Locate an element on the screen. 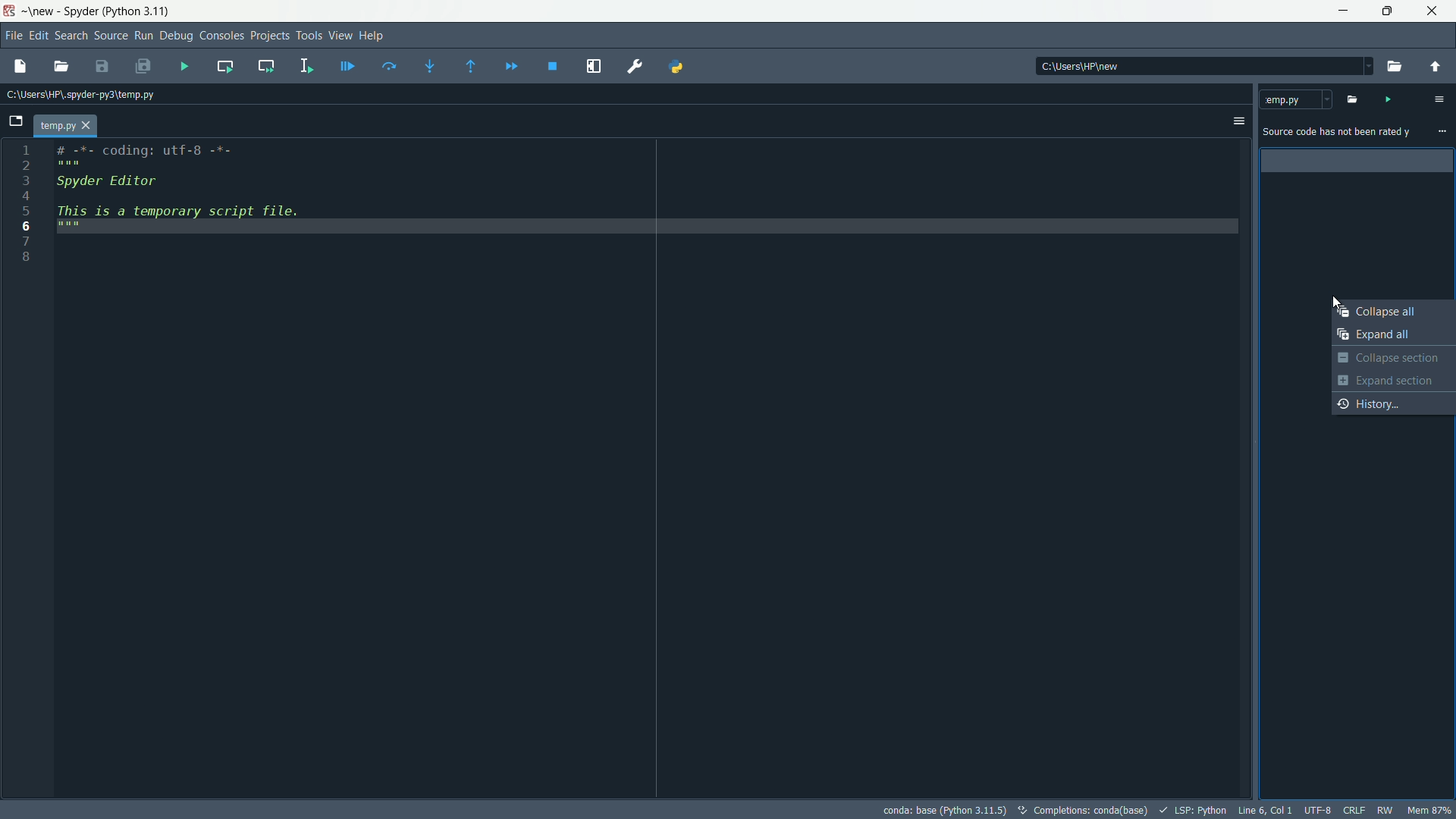 The height and width of the screenshot is (819, 1456). browse tabs is located at coordinates (15, 121).